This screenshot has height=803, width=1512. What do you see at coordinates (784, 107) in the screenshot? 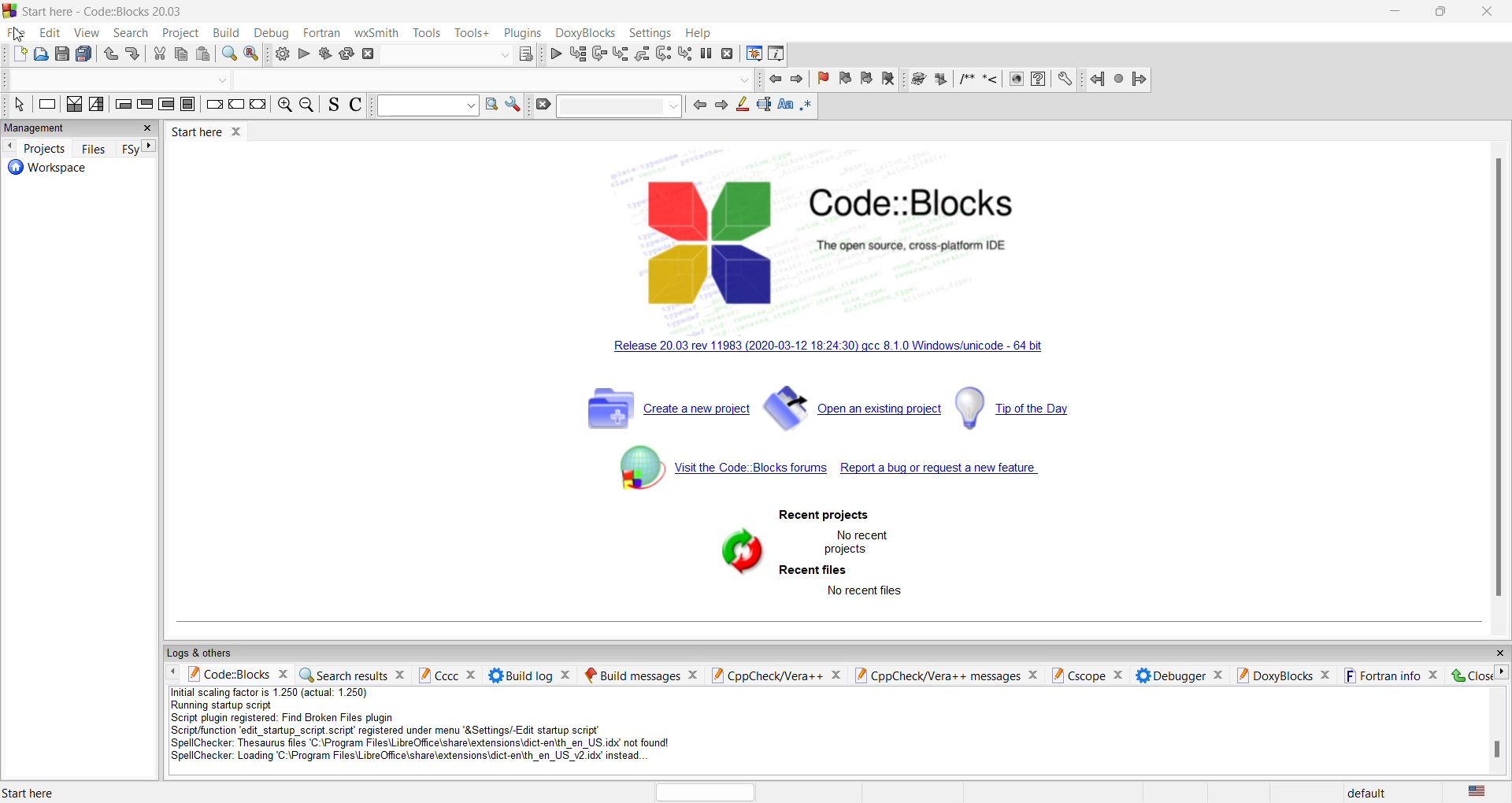
I see `match case` at bounding box center [784, 107].